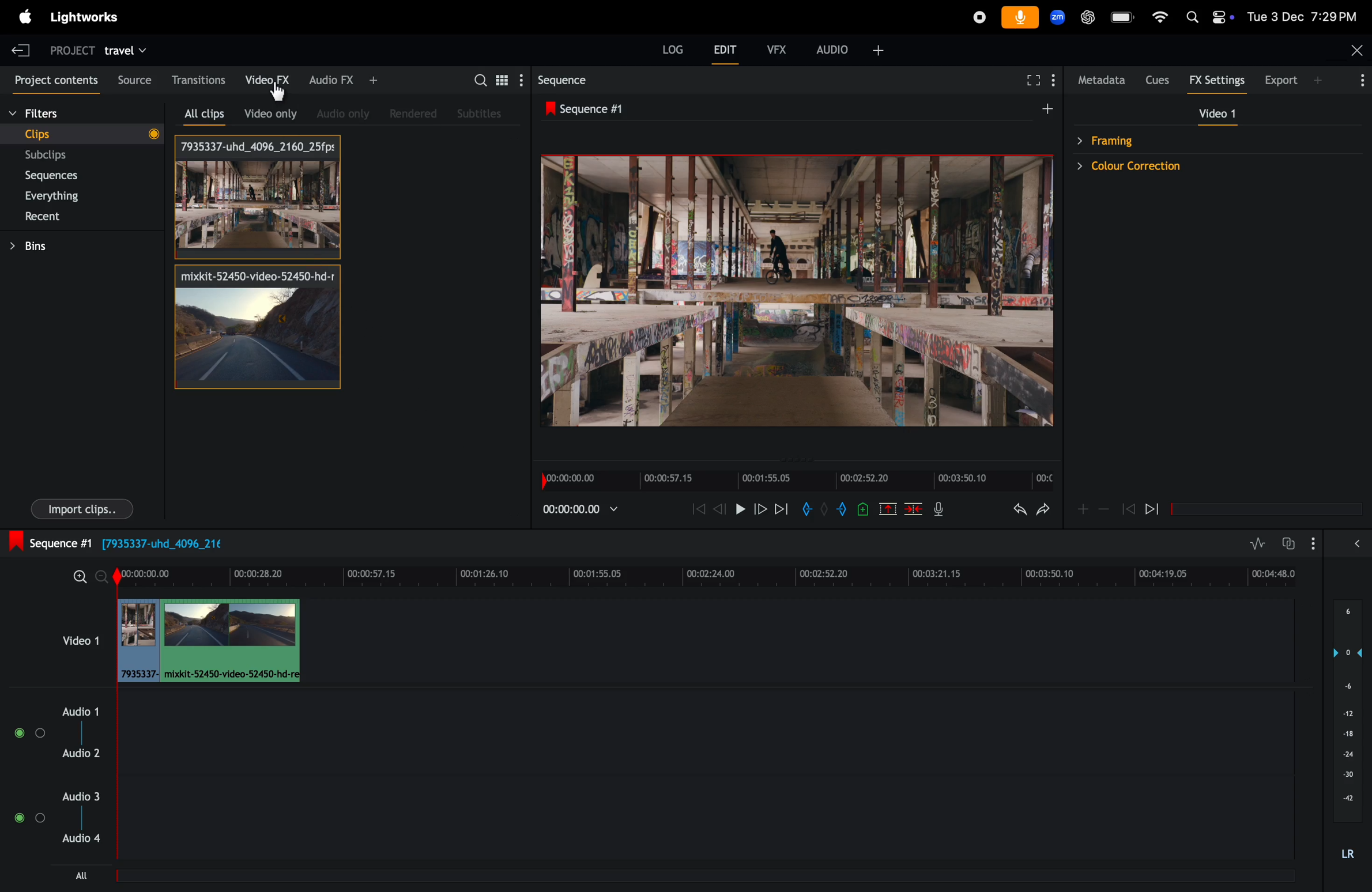 The height and width of the screenshot is (892, 1372). I want to click on add out, so click(835, 511).